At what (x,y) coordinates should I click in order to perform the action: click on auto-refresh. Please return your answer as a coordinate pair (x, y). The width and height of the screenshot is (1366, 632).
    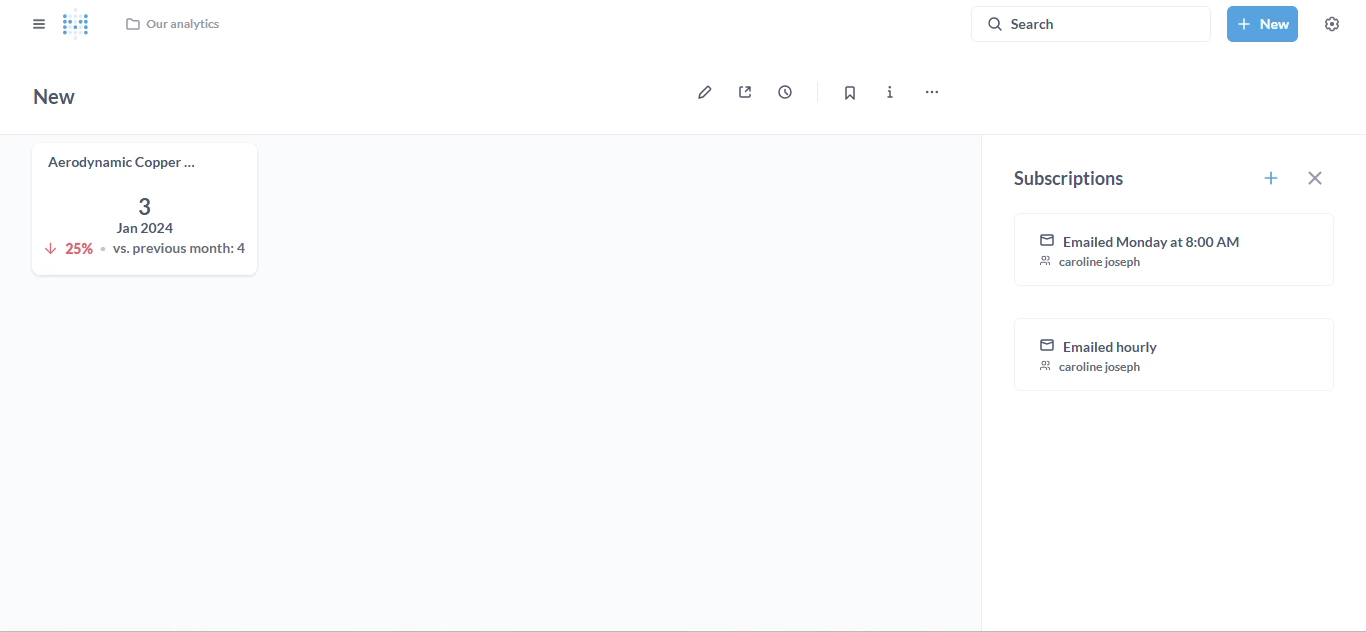
    Looking at the image, I should click on (785, 91).